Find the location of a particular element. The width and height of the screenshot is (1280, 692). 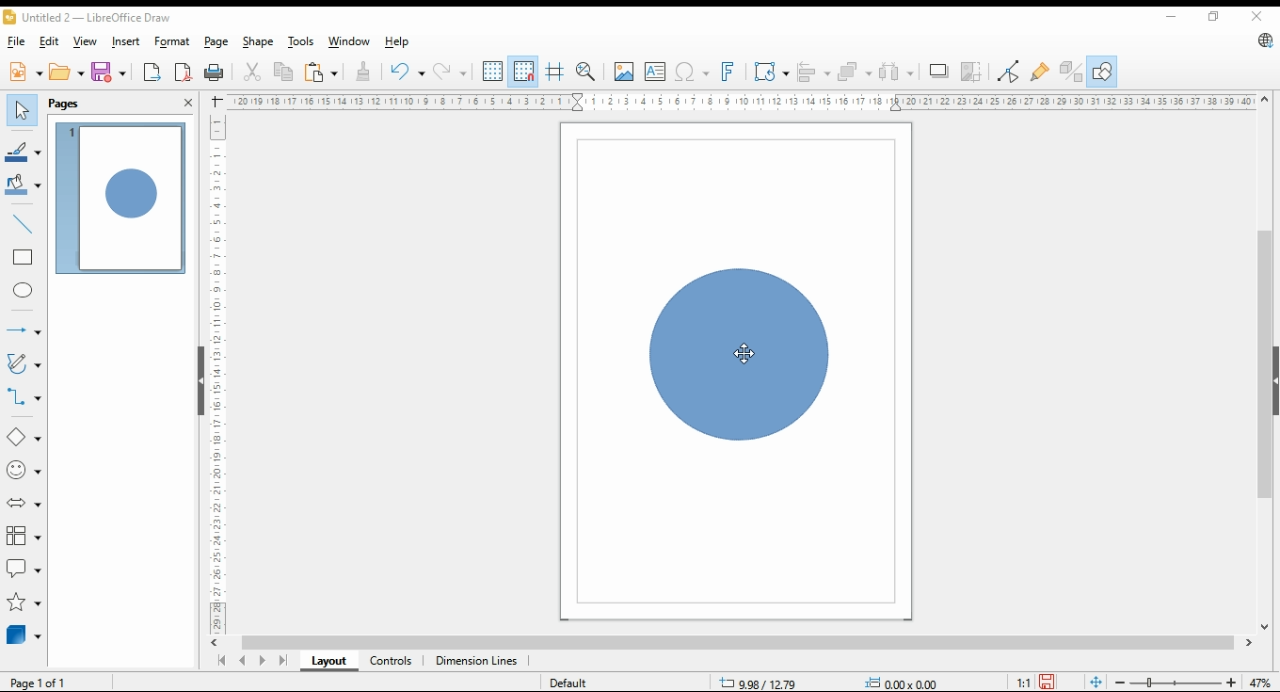

default is located at coordinates (572, 684).